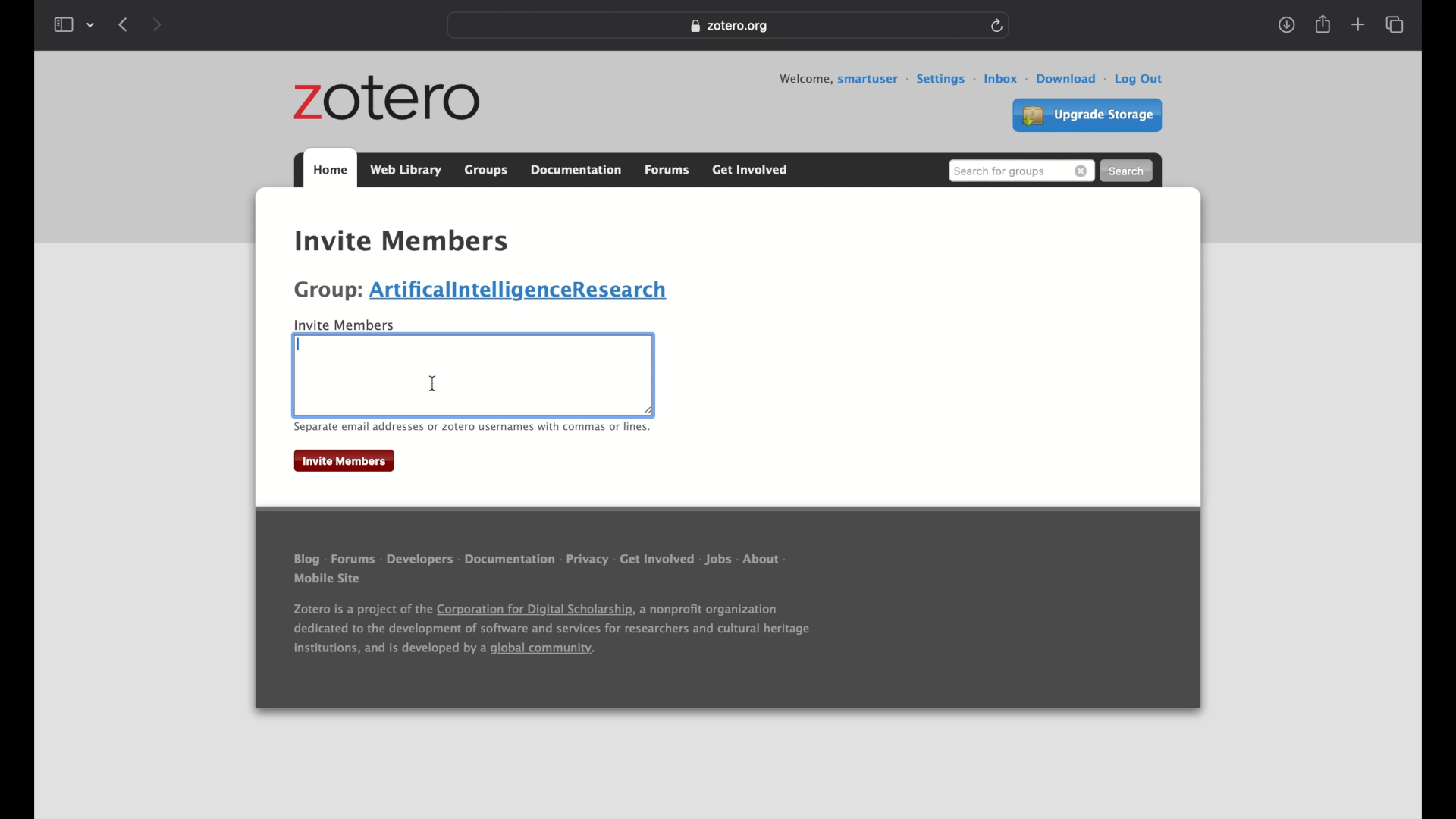 Image resolution: width=1456 pixels, height=819 pixels. I want to click on upgrade settings, so click(1087, 115).